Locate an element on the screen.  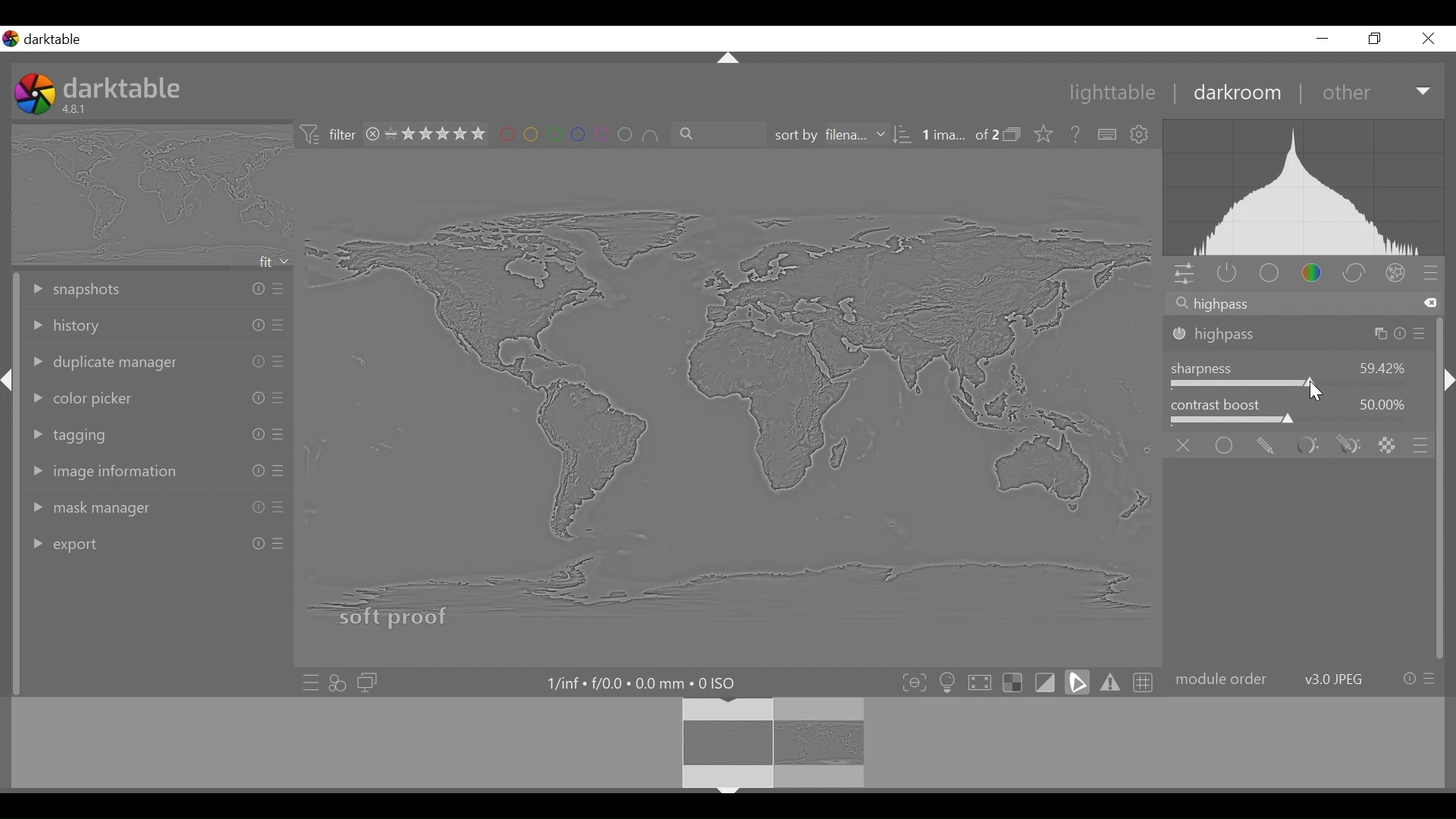
toggle ISO 12646 is located at coordinates (948, 680).